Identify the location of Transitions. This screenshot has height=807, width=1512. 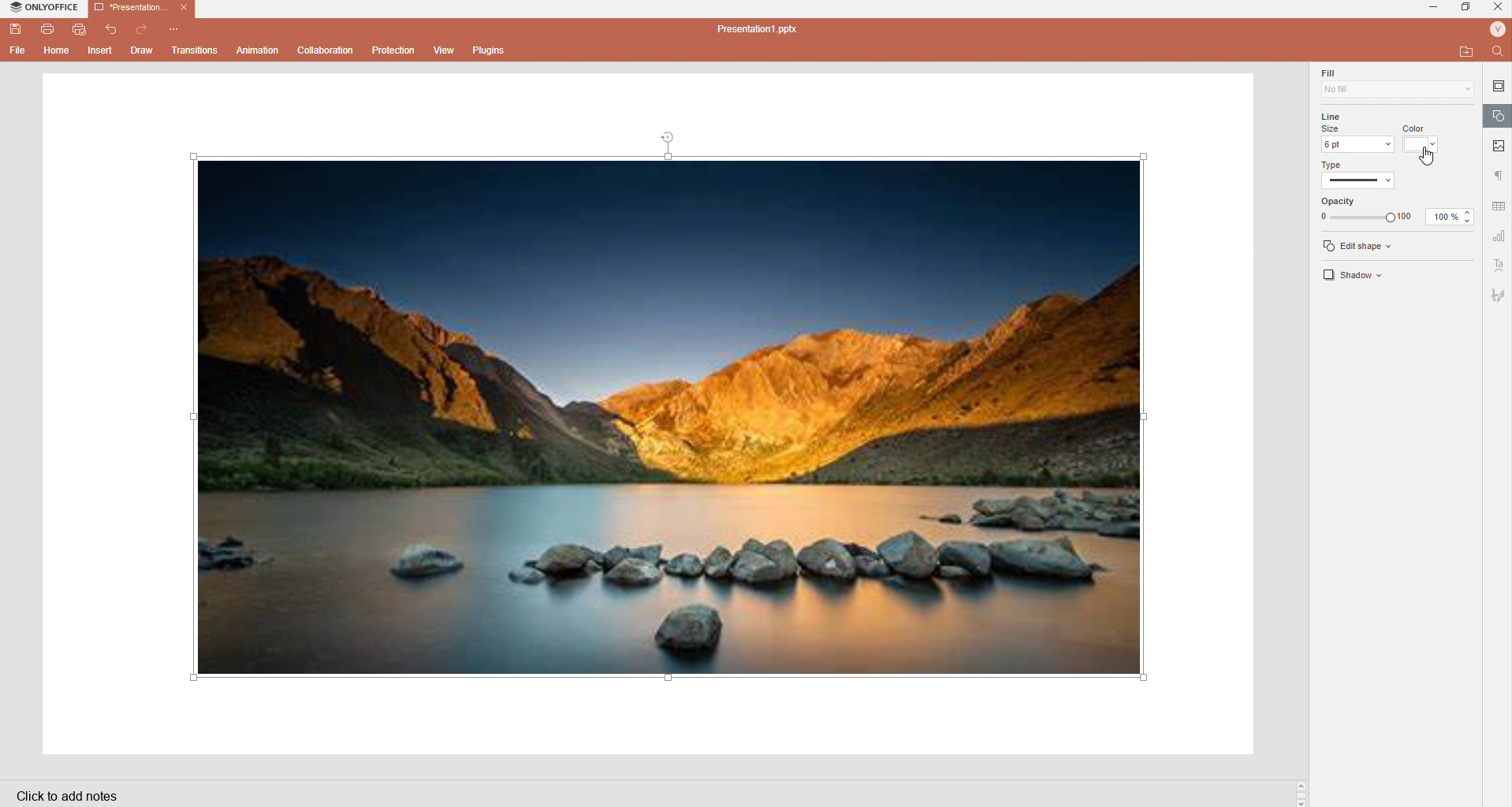
(195, 50).